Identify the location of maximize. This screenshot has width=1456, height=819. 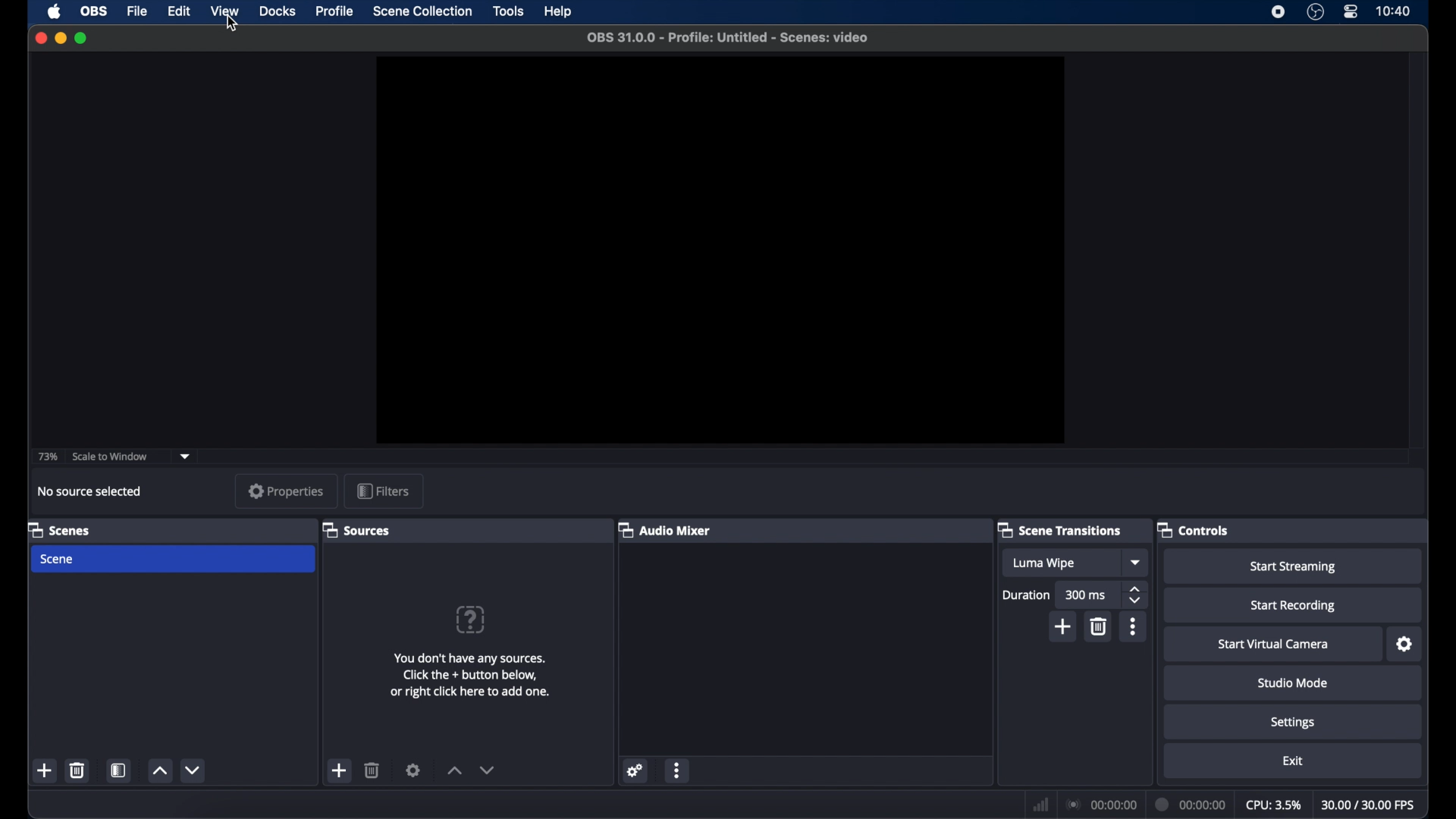
(82, 38).